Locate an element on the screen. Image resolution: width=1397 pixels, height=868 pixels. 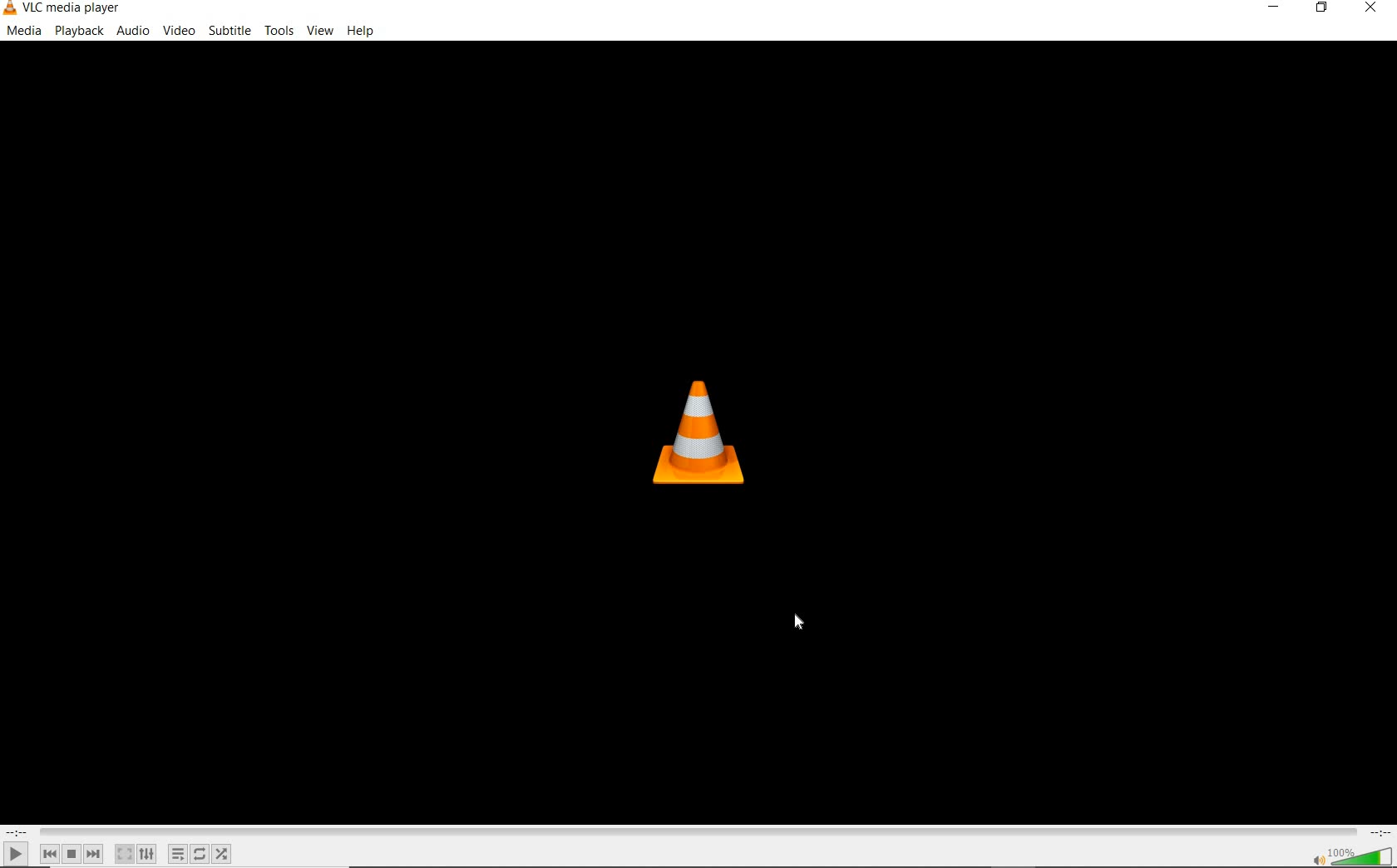
toggle playlist is located at coordinates (178, 854).